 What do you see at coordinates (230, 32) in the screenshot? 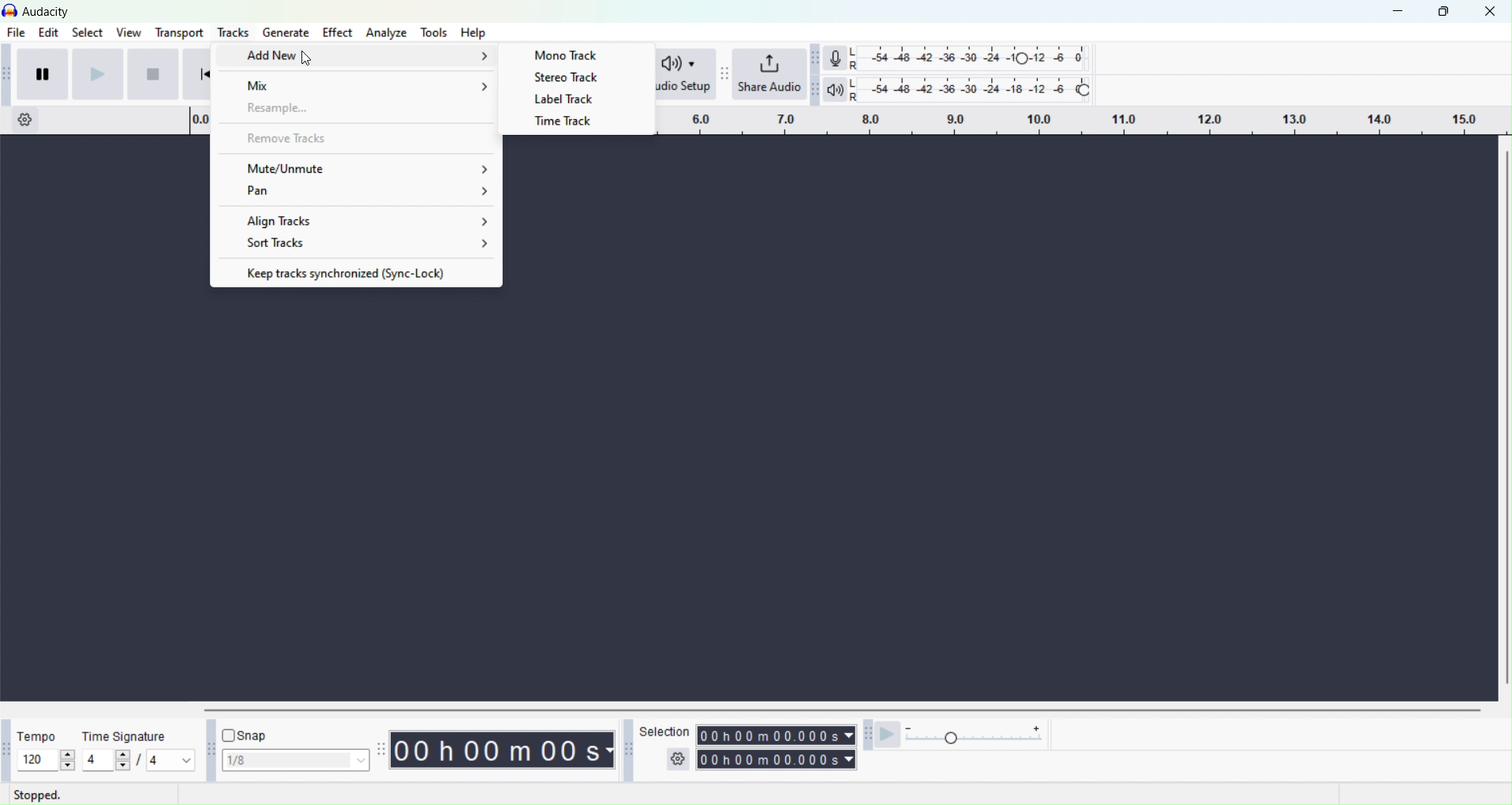
I see `Tools` at bounding box center [230, 32].